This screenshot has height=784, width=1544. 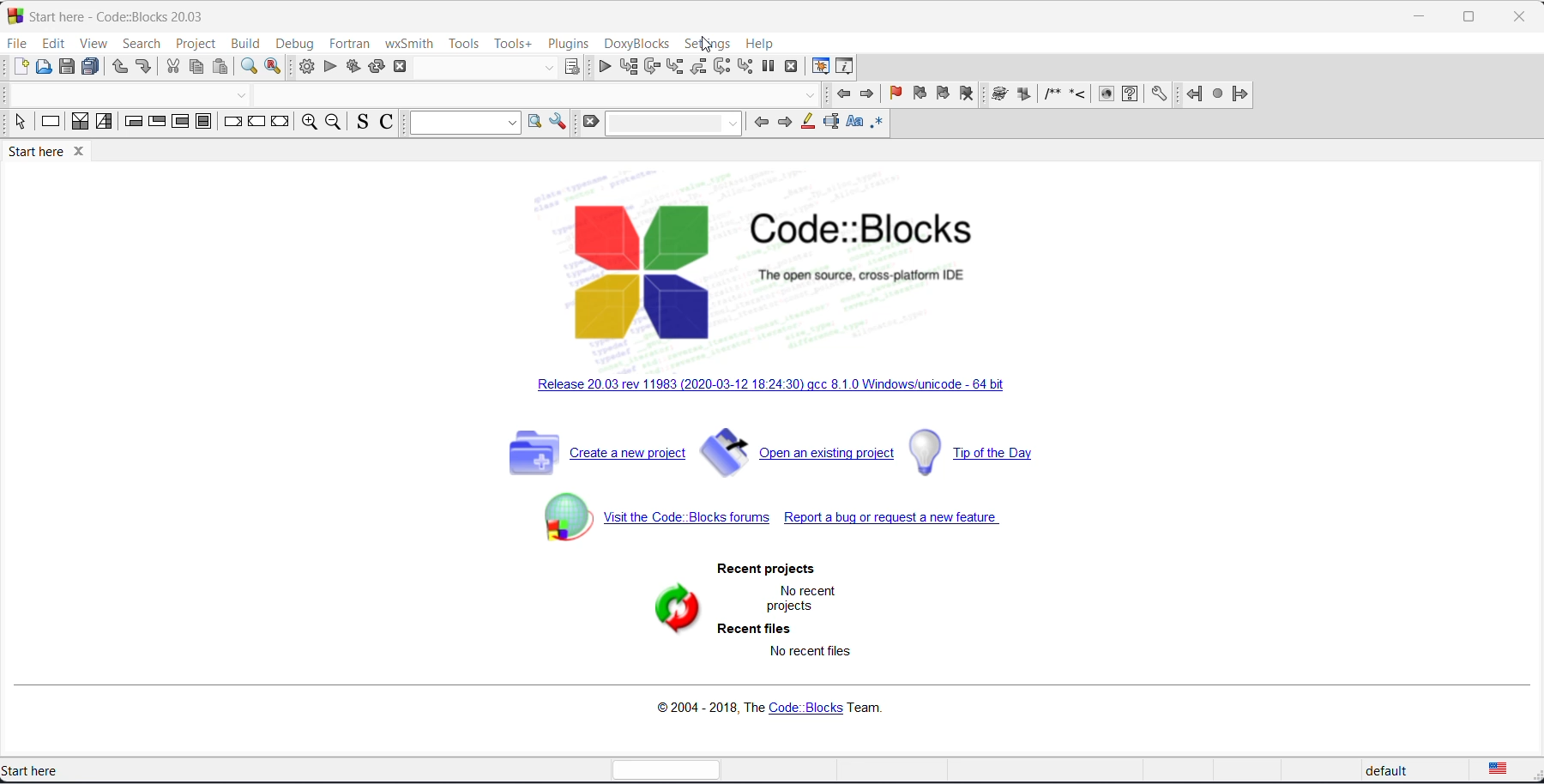 I want to click on match case, so click(x=854, y=122).